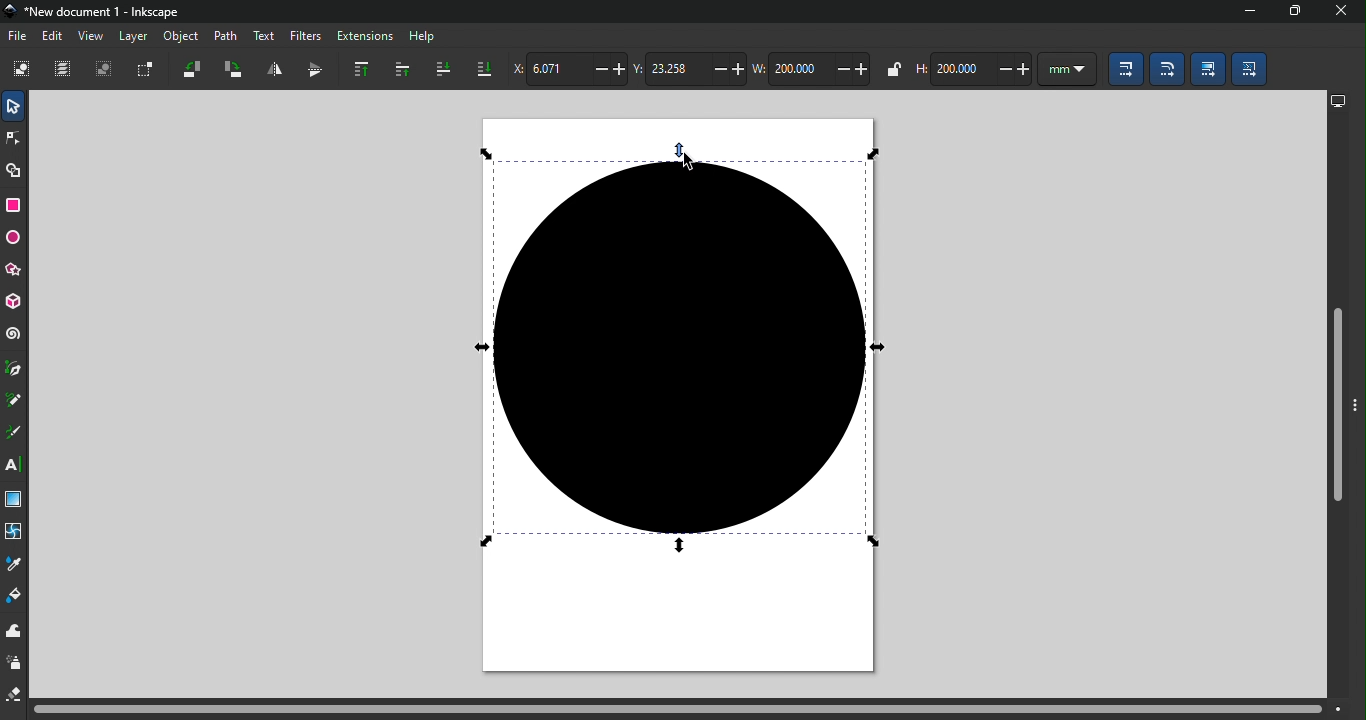 This screenshot has width=1366, height=720. Describe the element at coordinates (14, 171) in the screenshot. I see `Shape builder tool` at that location.